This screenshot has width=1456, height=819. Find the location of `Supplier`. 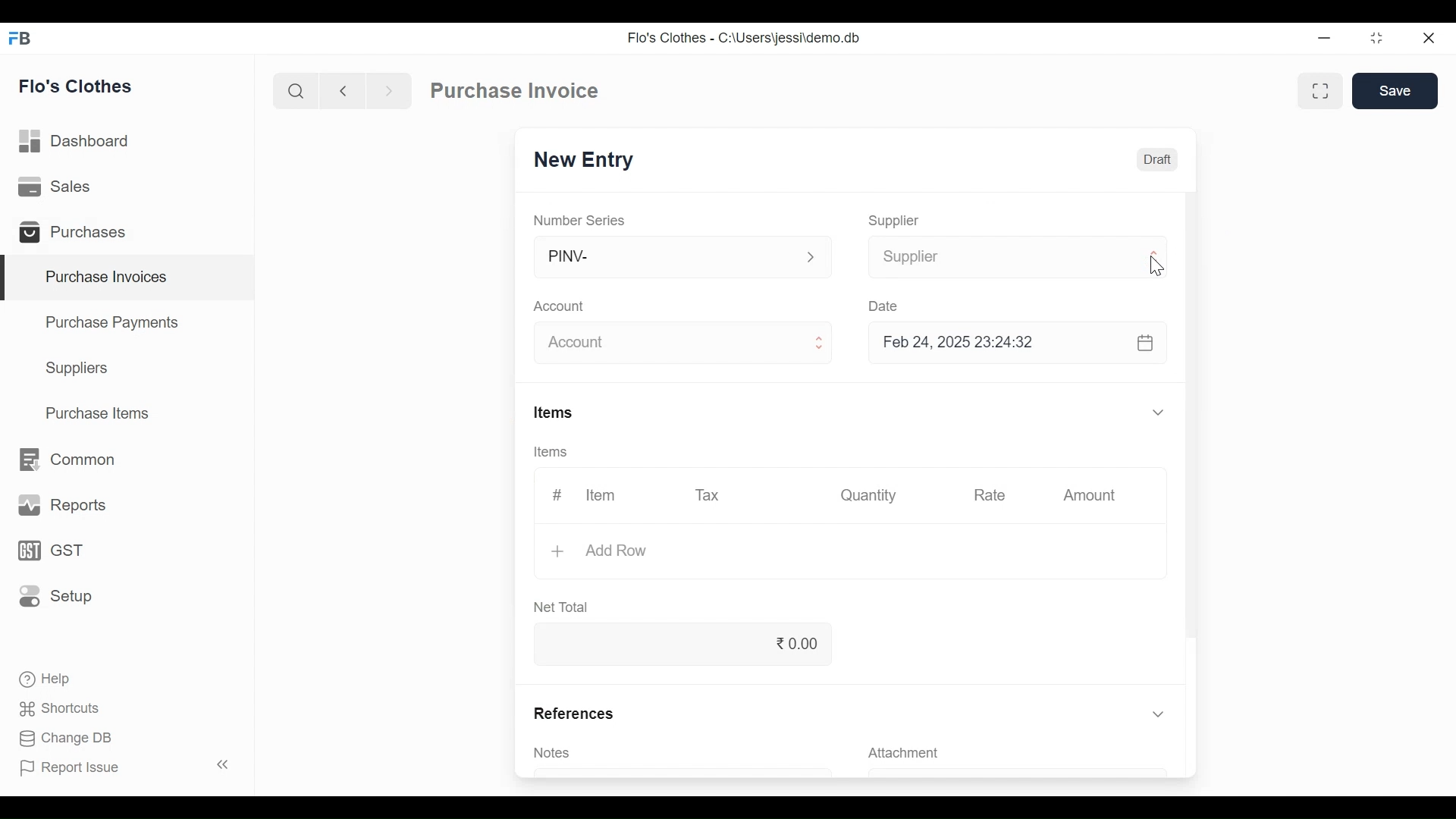

Supplier is located at coordinates (997, 258).